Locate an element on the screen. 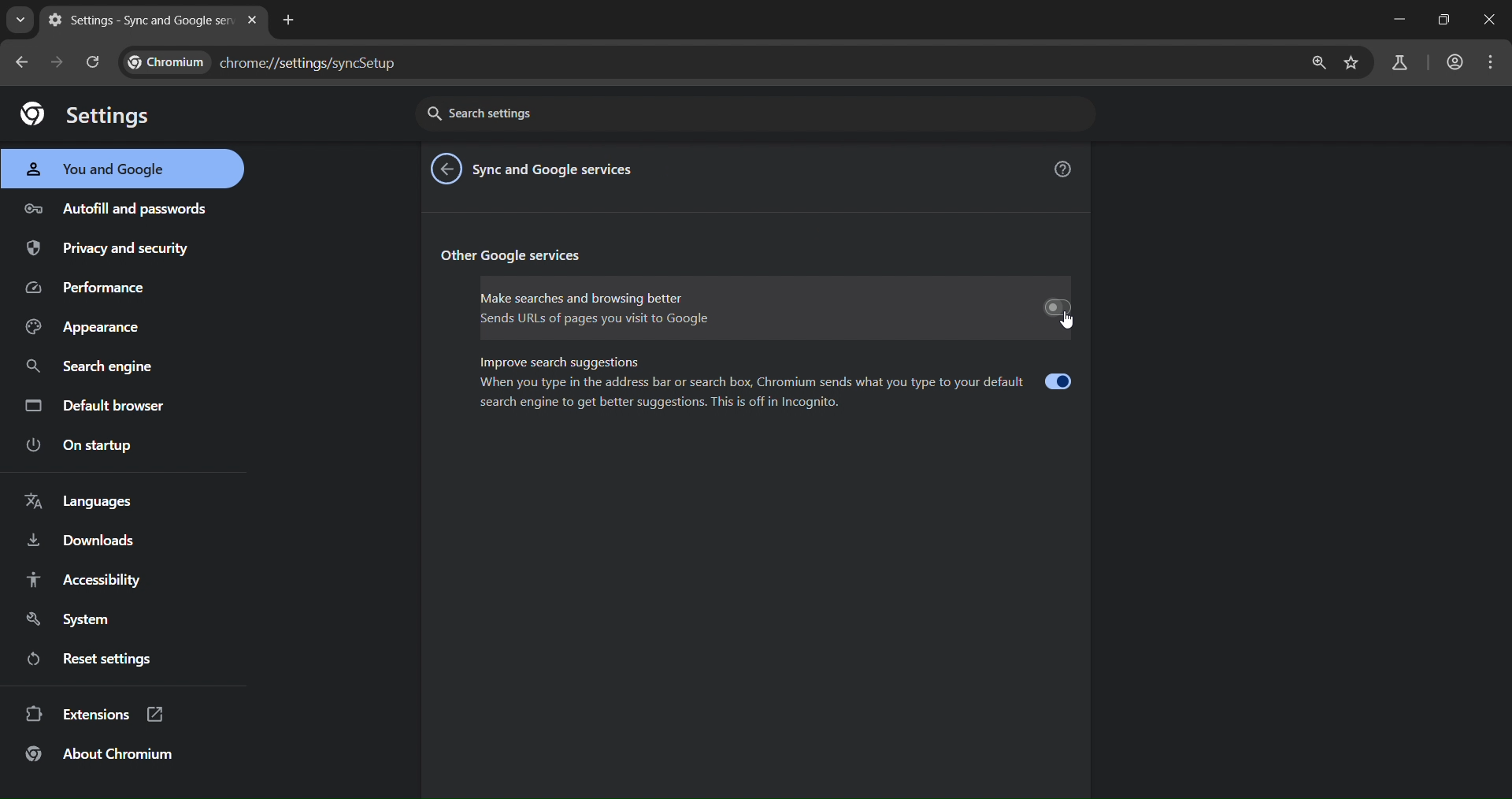  extensions is located at coordinates (95, 714).